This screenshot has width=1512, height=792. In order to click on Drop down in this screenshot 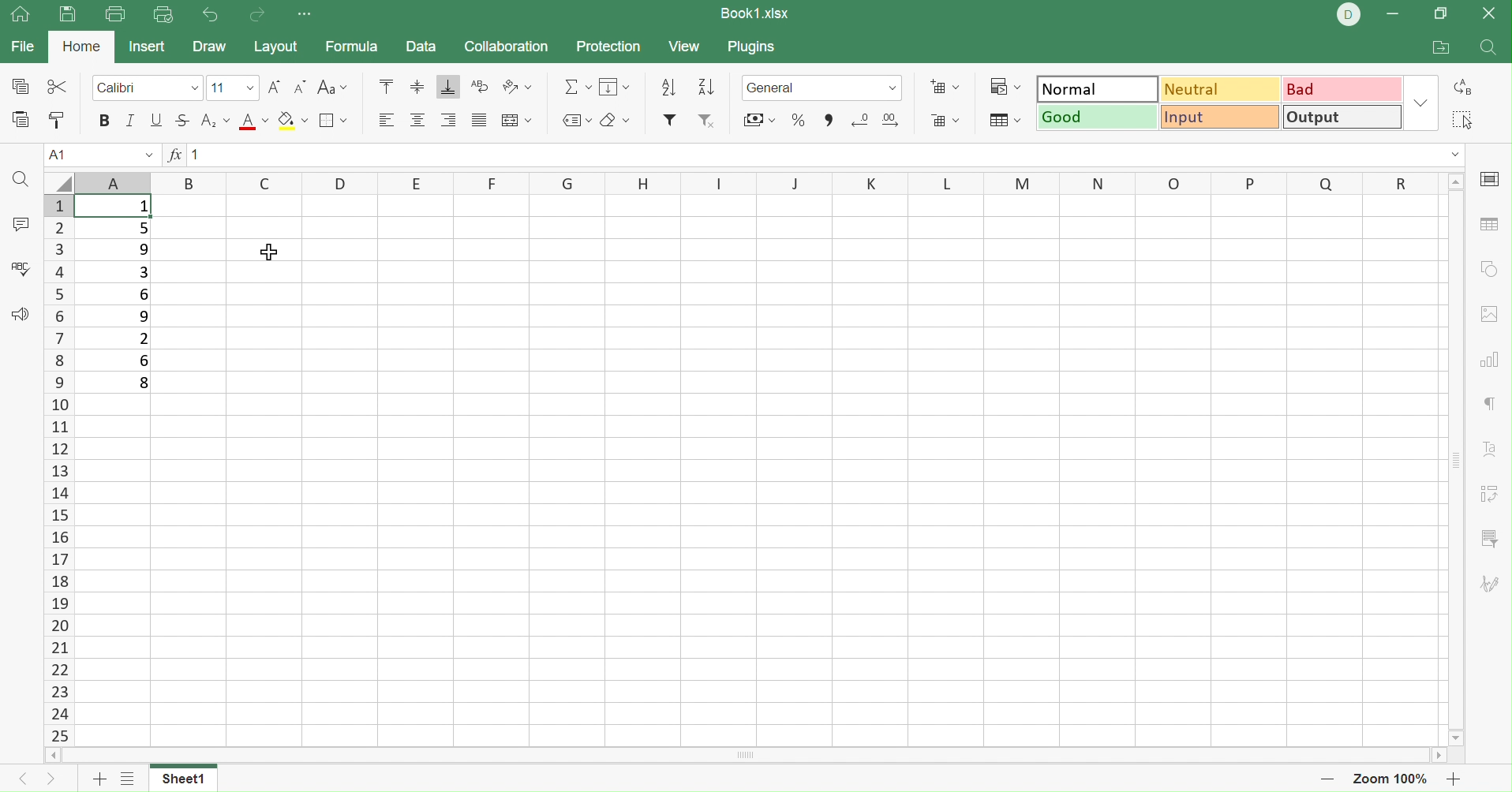, I will do `click(890, 88)`.